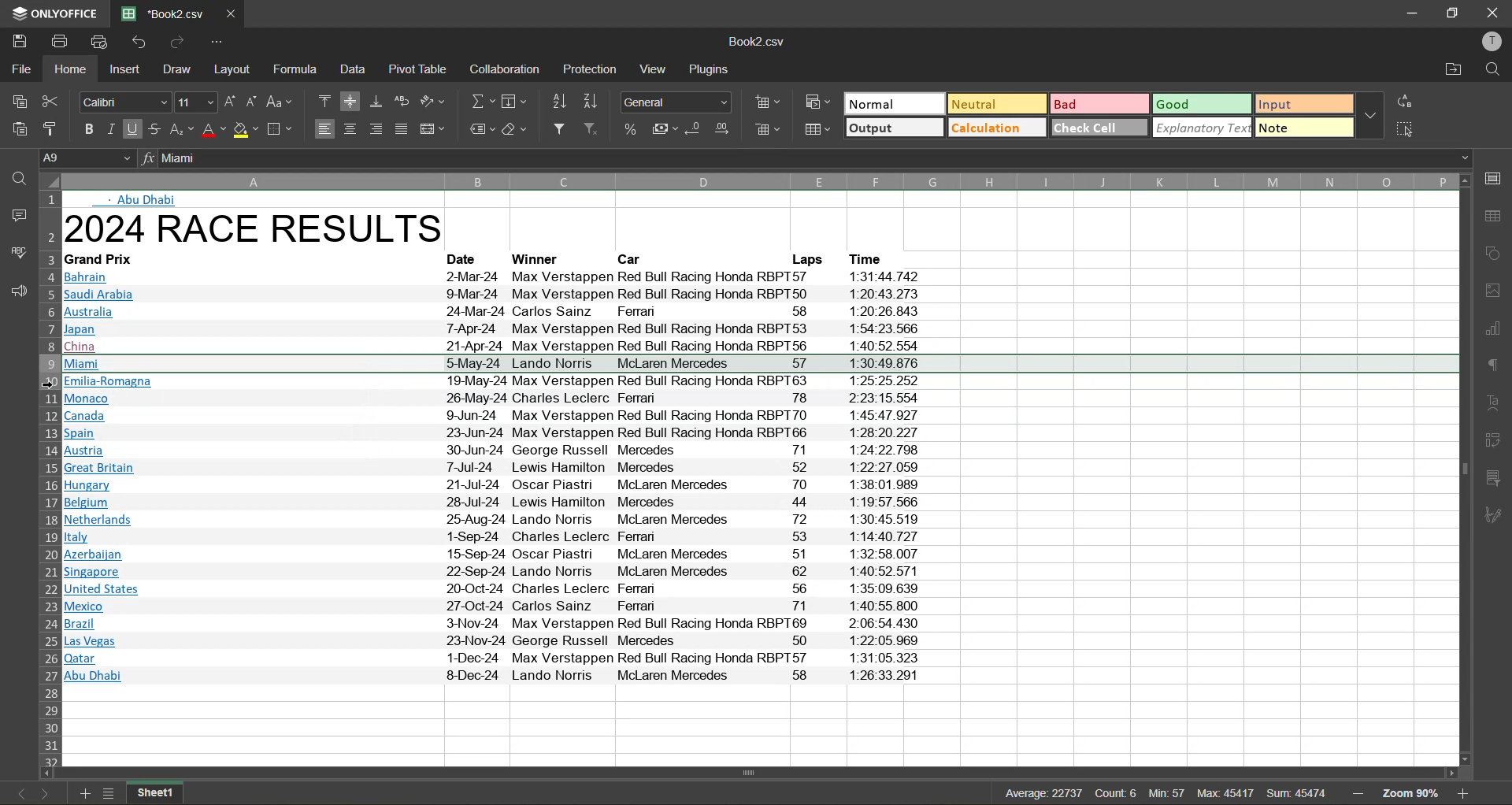 The height and width of the screenshot is (805, 1512). Describe the element at coordinates (998, 127) in the screenshot. I see `calculation` at that location.